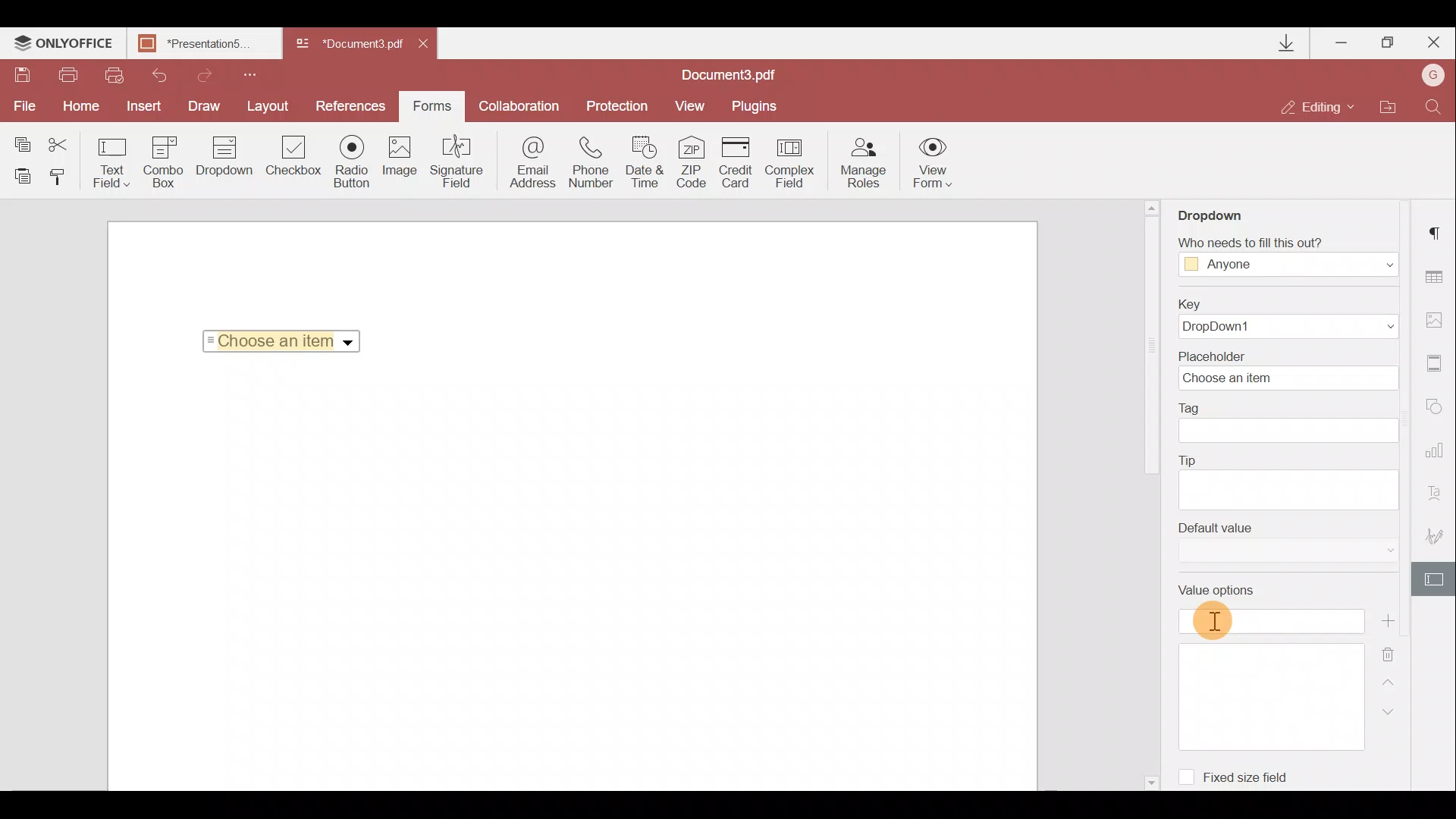  What do you see at coordinates (287, 338) in the screenshot?
I see `Choose an item ` at bounding box center [287, 338].